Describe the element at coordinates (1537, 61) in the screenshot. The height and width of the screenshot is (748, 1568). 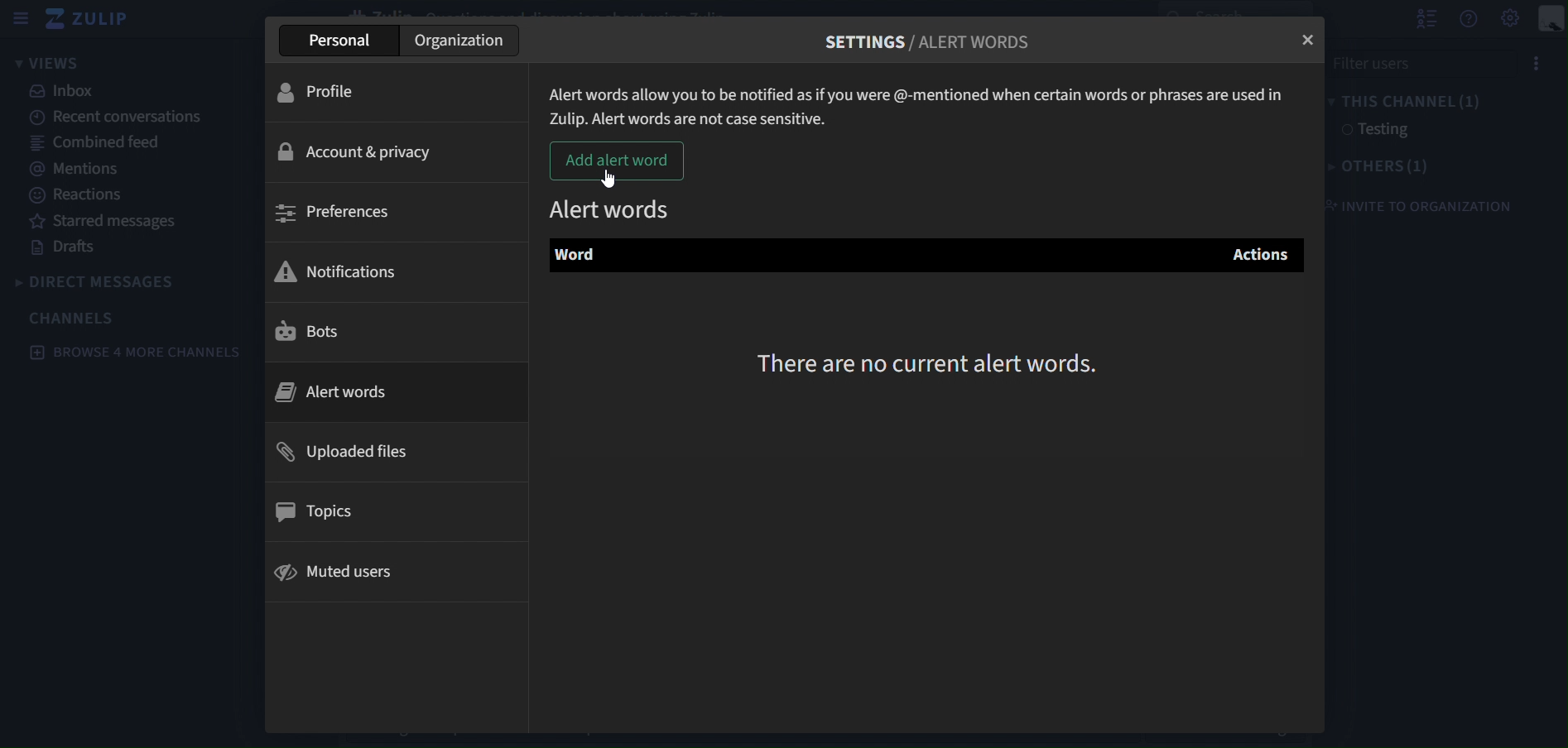
I see `options` at that location.